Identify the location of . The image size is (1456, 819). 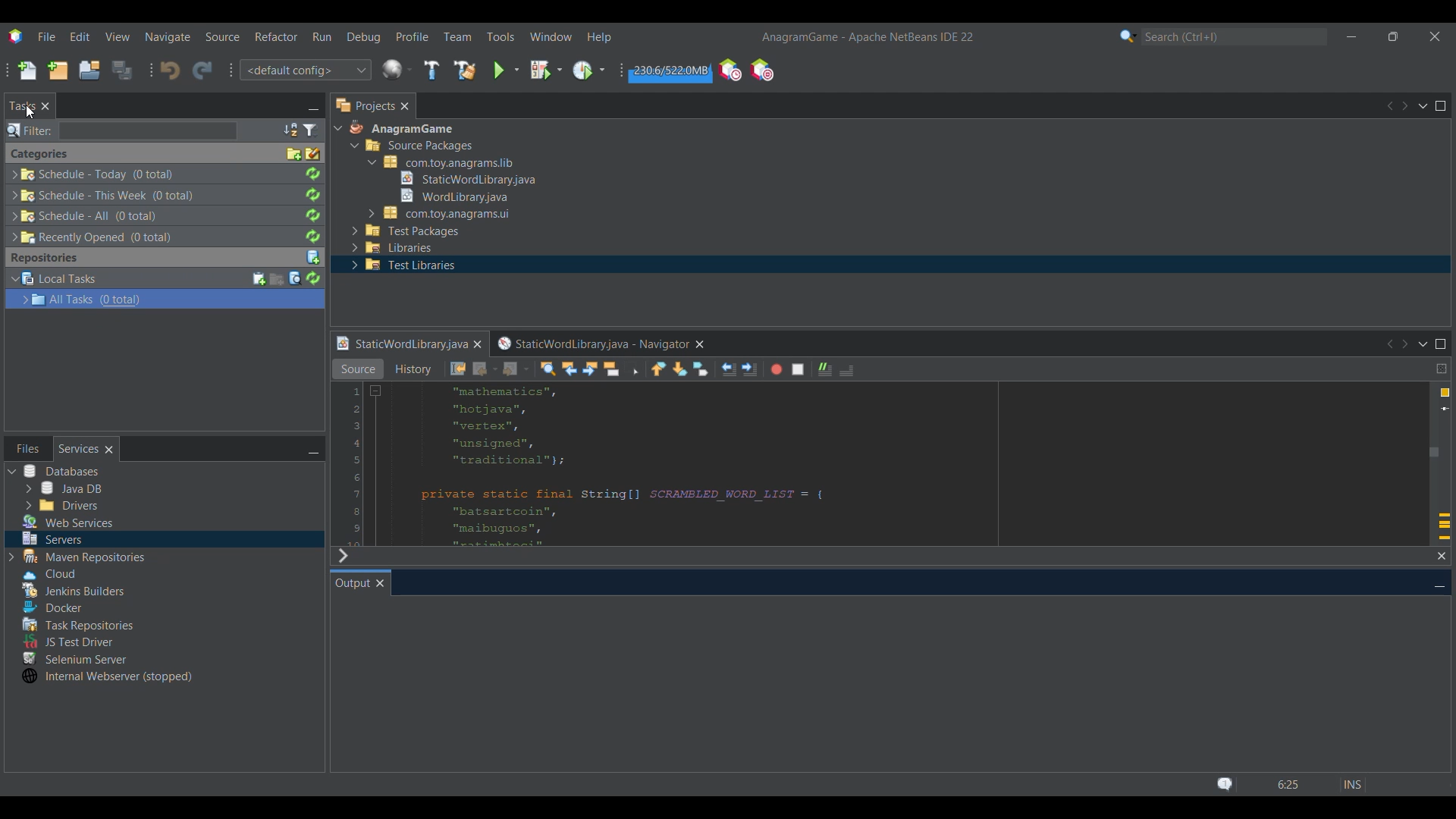
(70, 641).